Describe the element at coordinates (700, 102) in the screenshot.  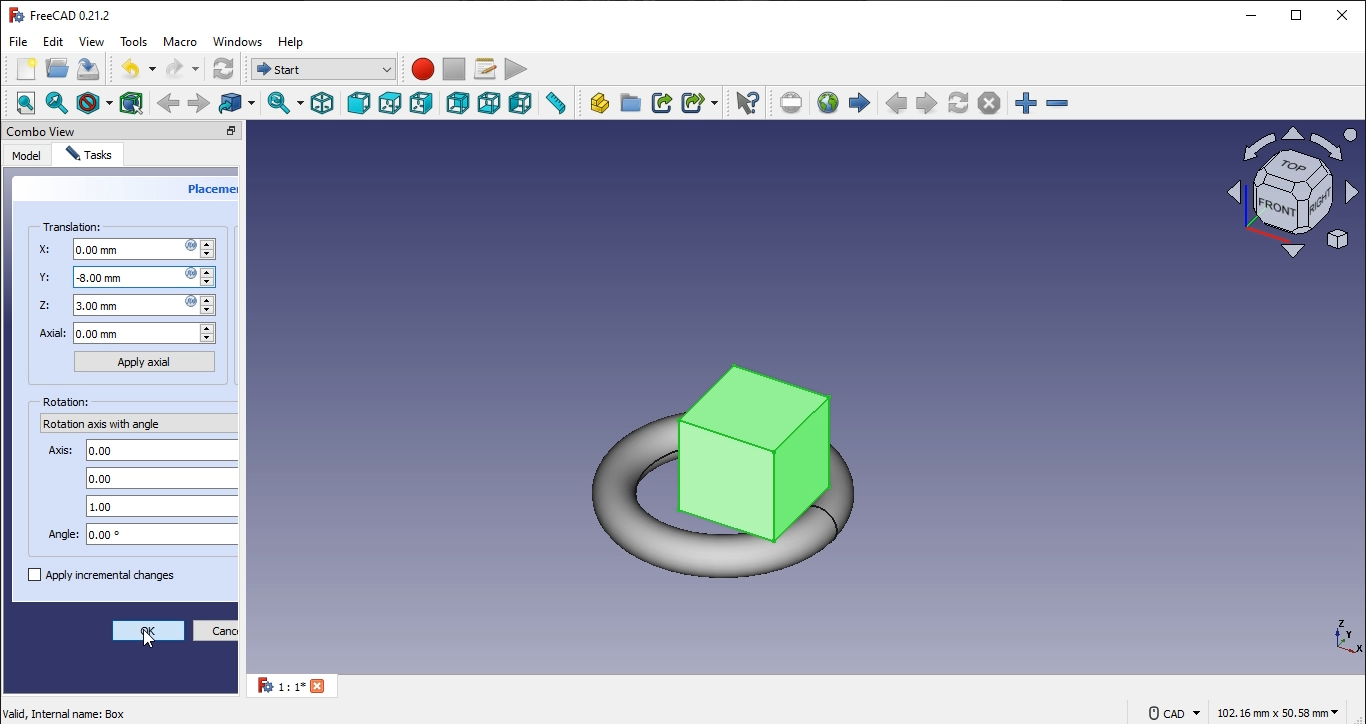
I see `make sublink` at that location.